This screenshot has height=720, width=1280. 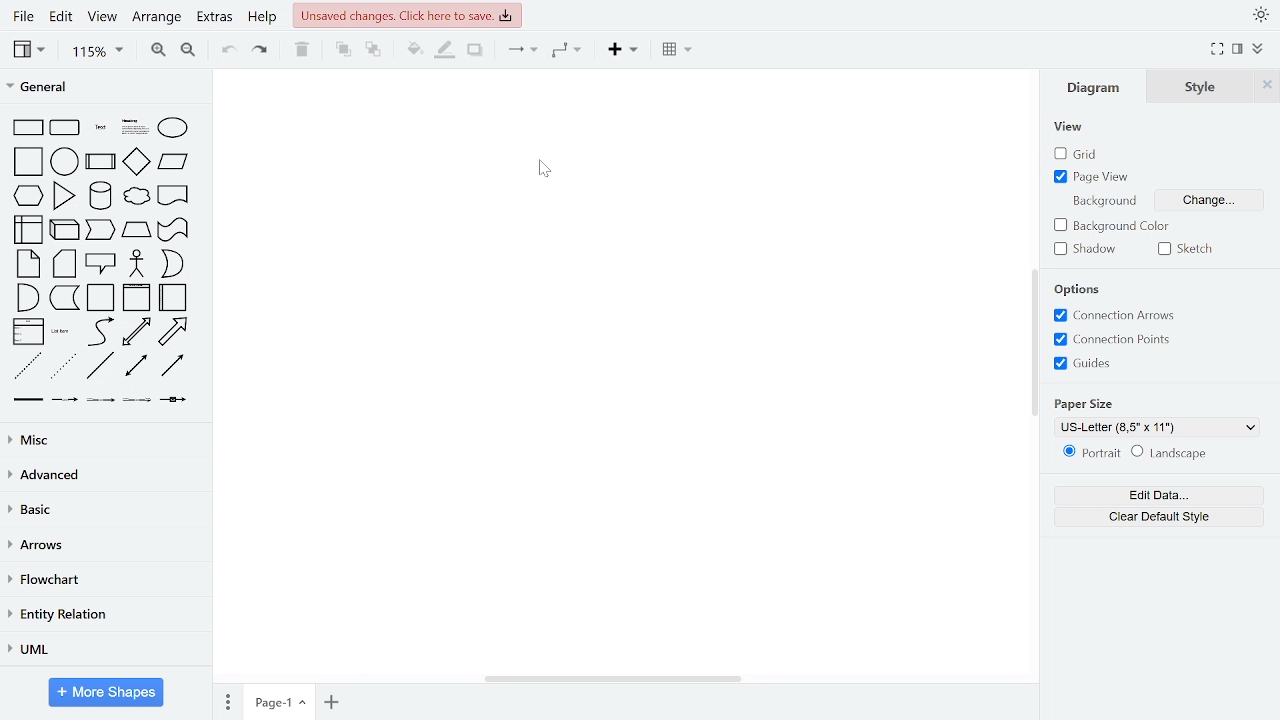 What do you see at coordinates (135, 299) in the screenshot?
I see `vertical container` at bounding box center [135, 299].